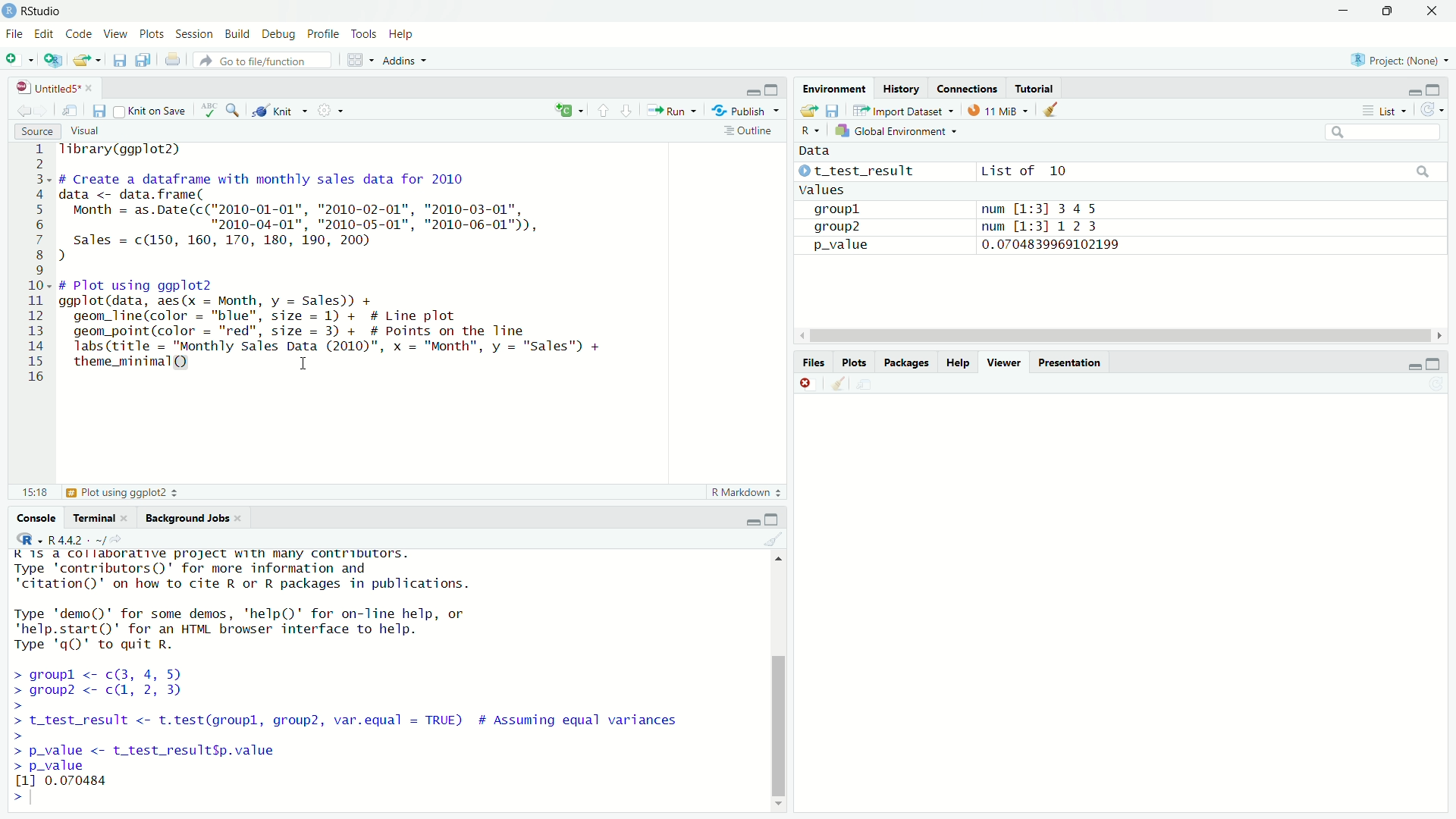  I want to click on re-run previous code, so click(566, 111).